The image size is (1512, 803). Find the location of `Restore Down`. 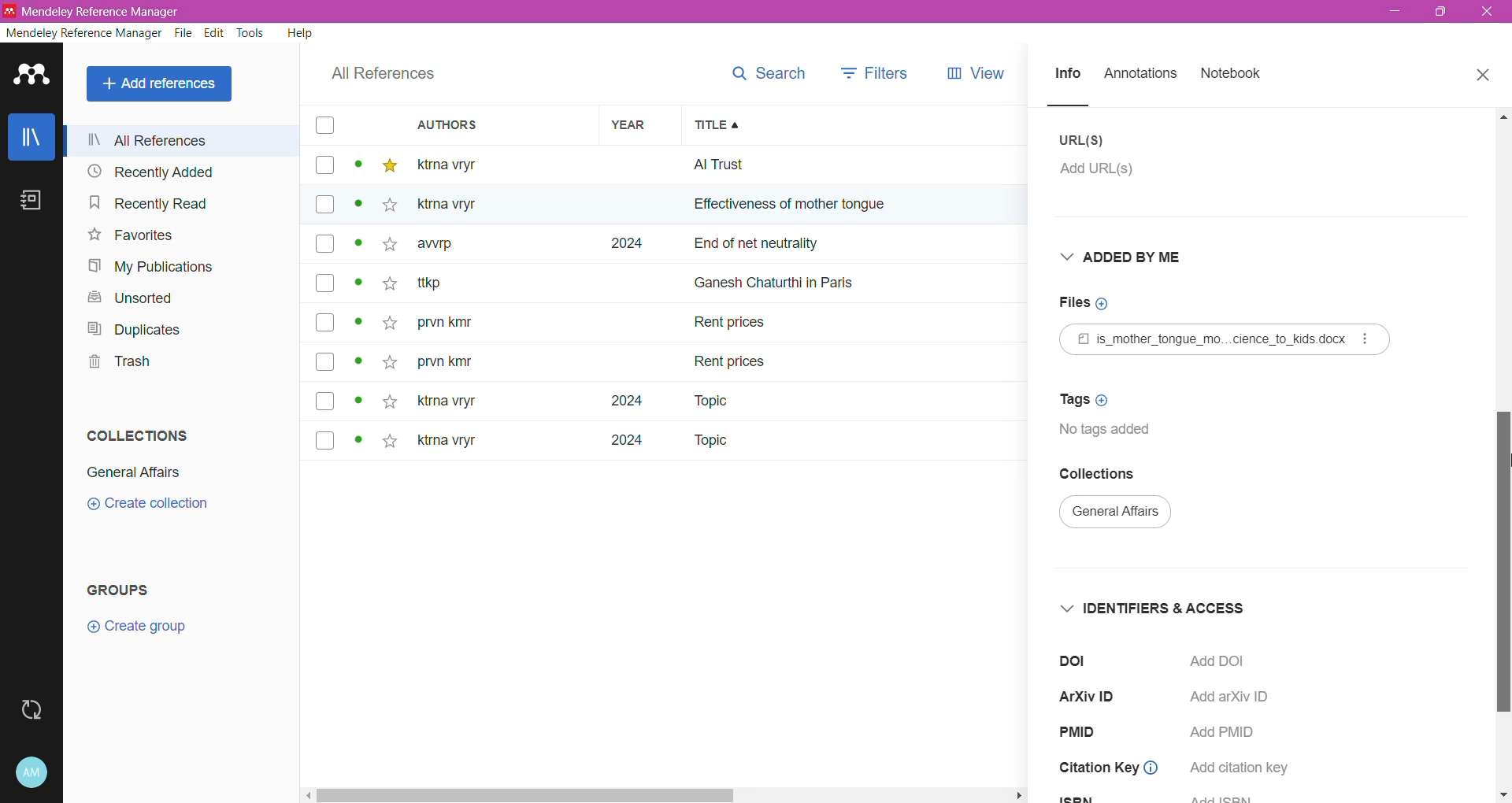

Restore Down is located at coordinates (2832, 9).